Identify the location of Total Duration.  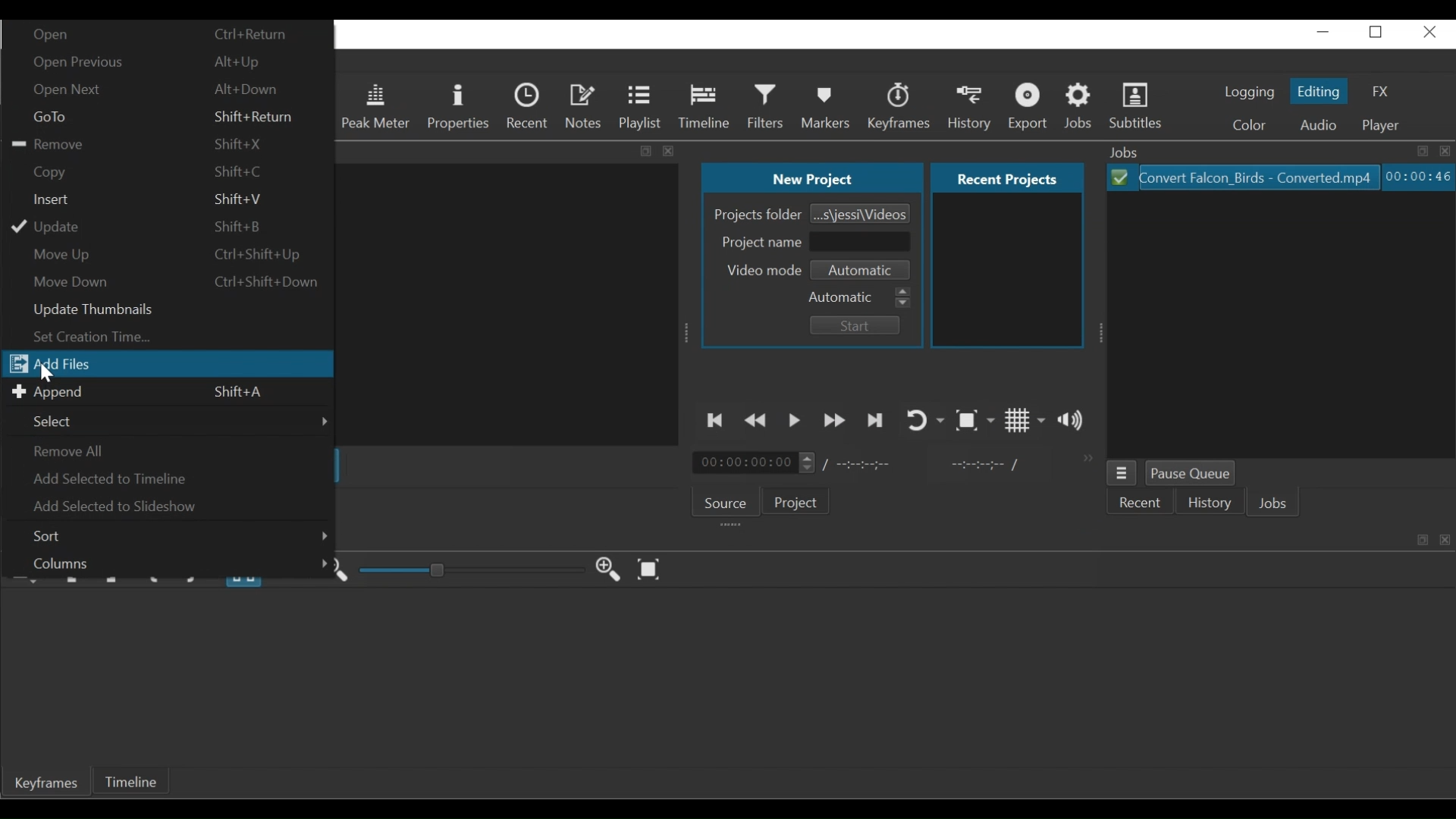
(861, 466).